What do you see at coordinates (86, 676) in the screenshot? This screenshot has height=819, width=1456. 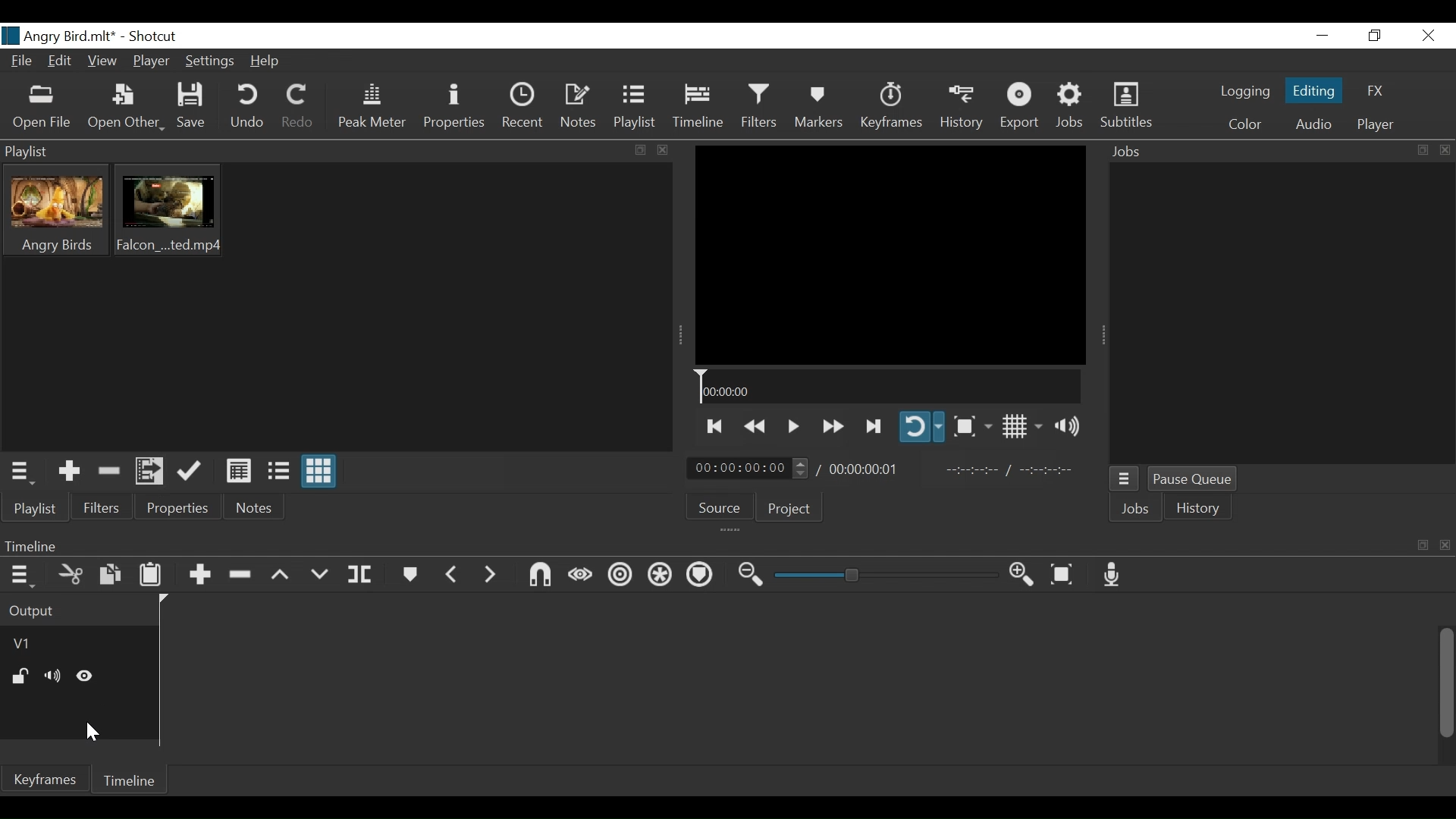 I see `Hide` at bounding box center [86, 676].